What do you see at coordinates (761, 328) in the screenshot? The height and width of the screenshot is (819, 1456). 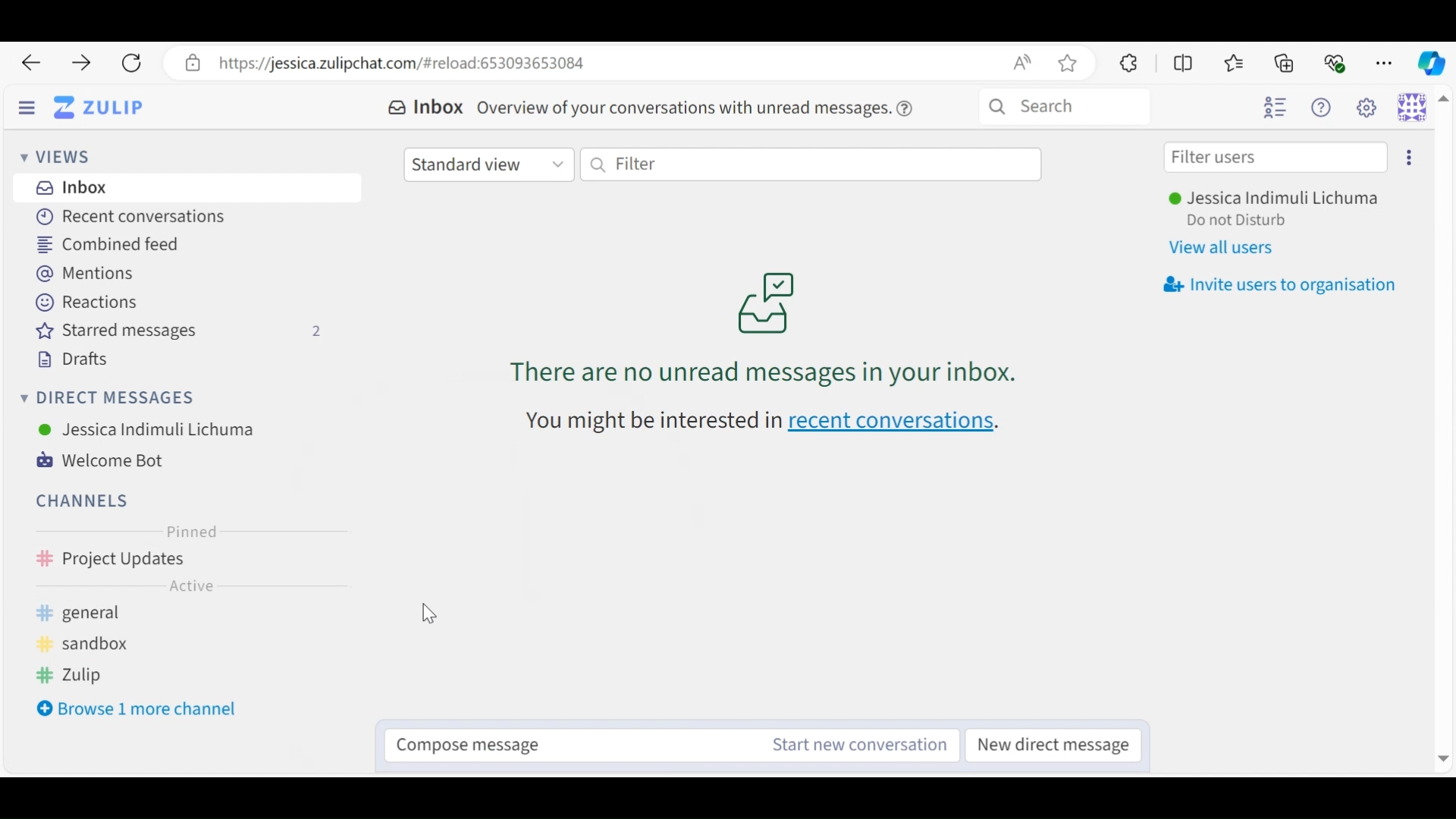 I see `unread messages` at bounding box center [761, 328].